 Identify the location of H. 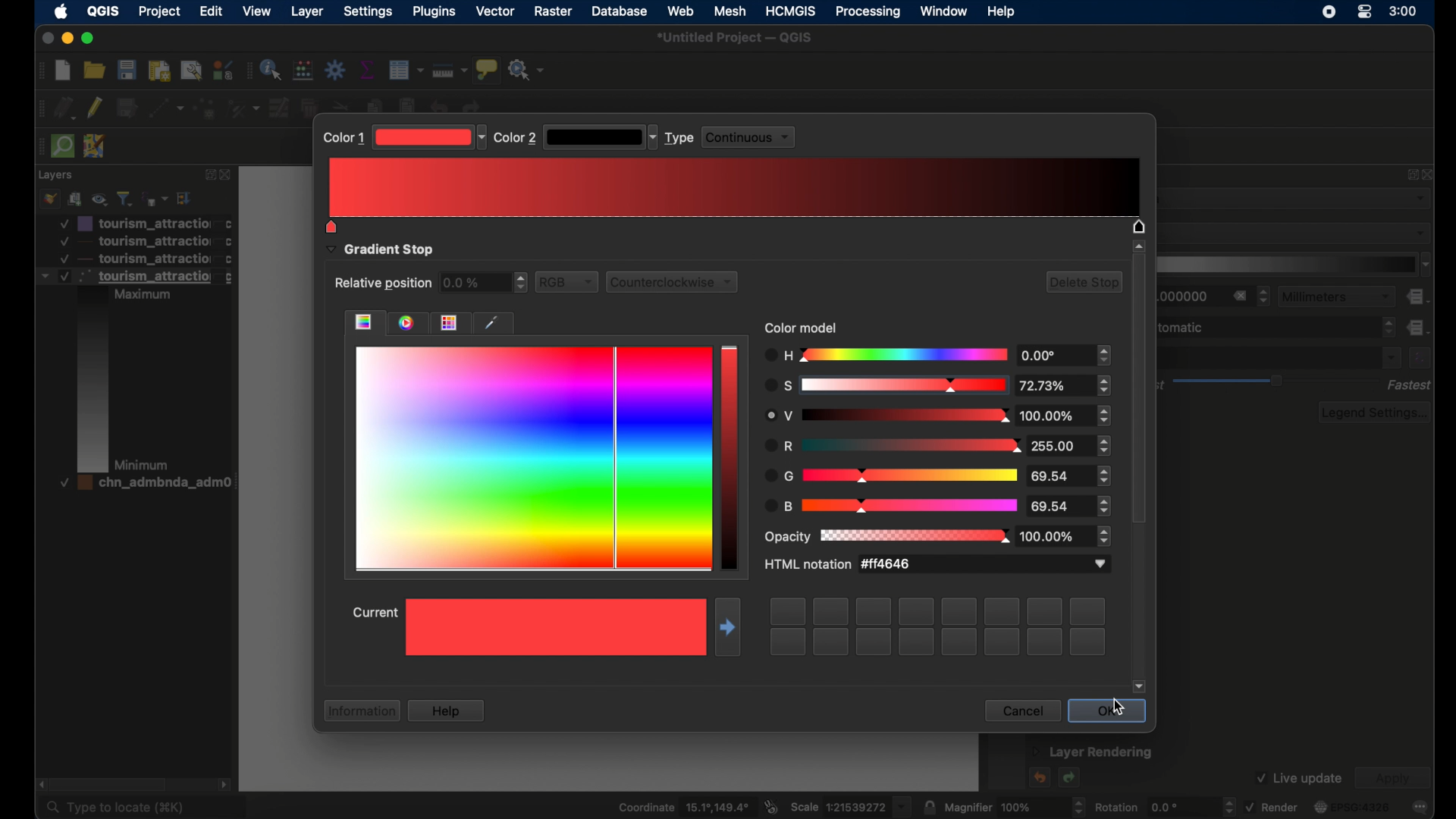
(885, 355).